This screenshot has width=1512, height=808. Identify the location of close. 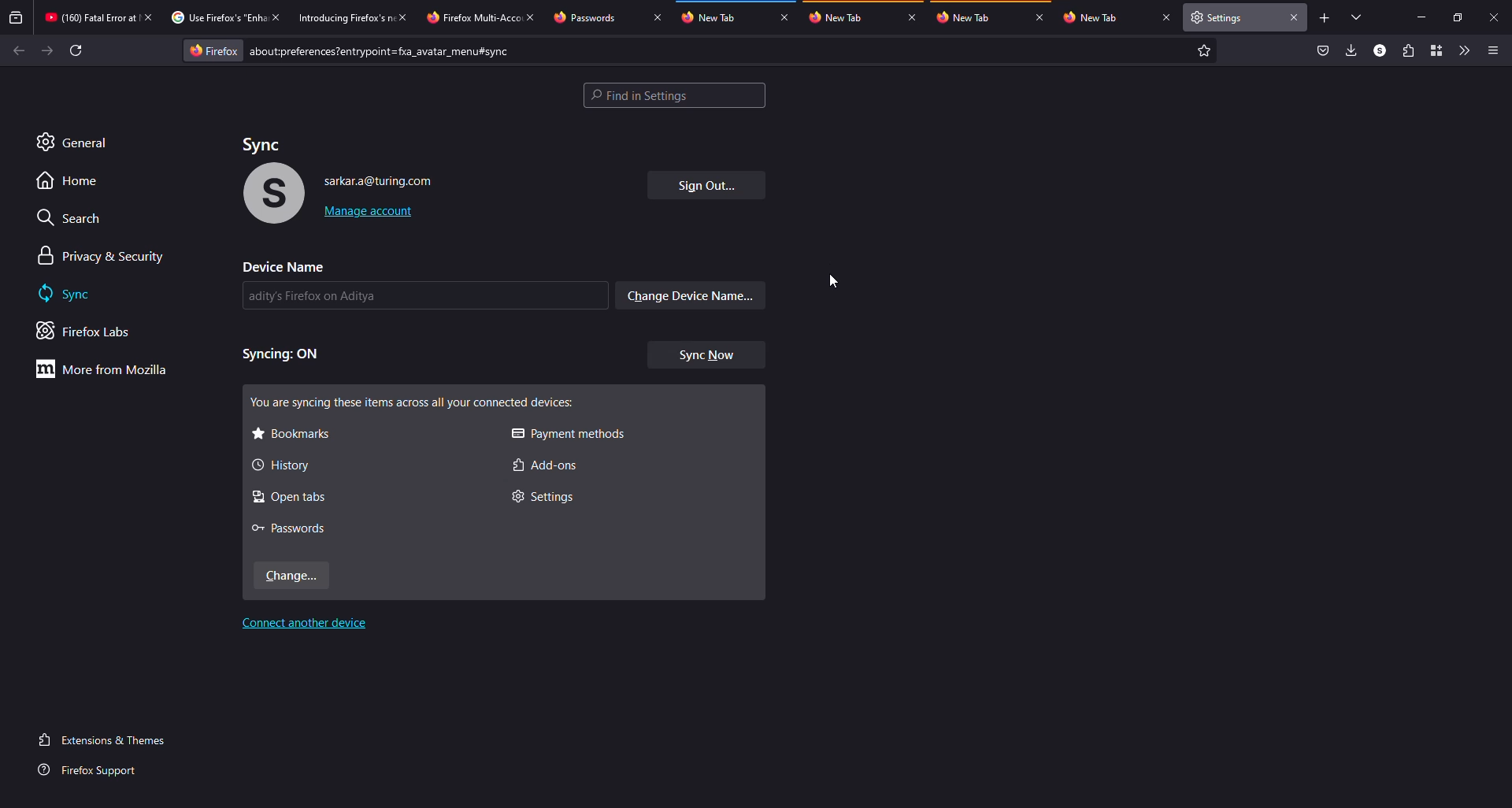
(533, 18).